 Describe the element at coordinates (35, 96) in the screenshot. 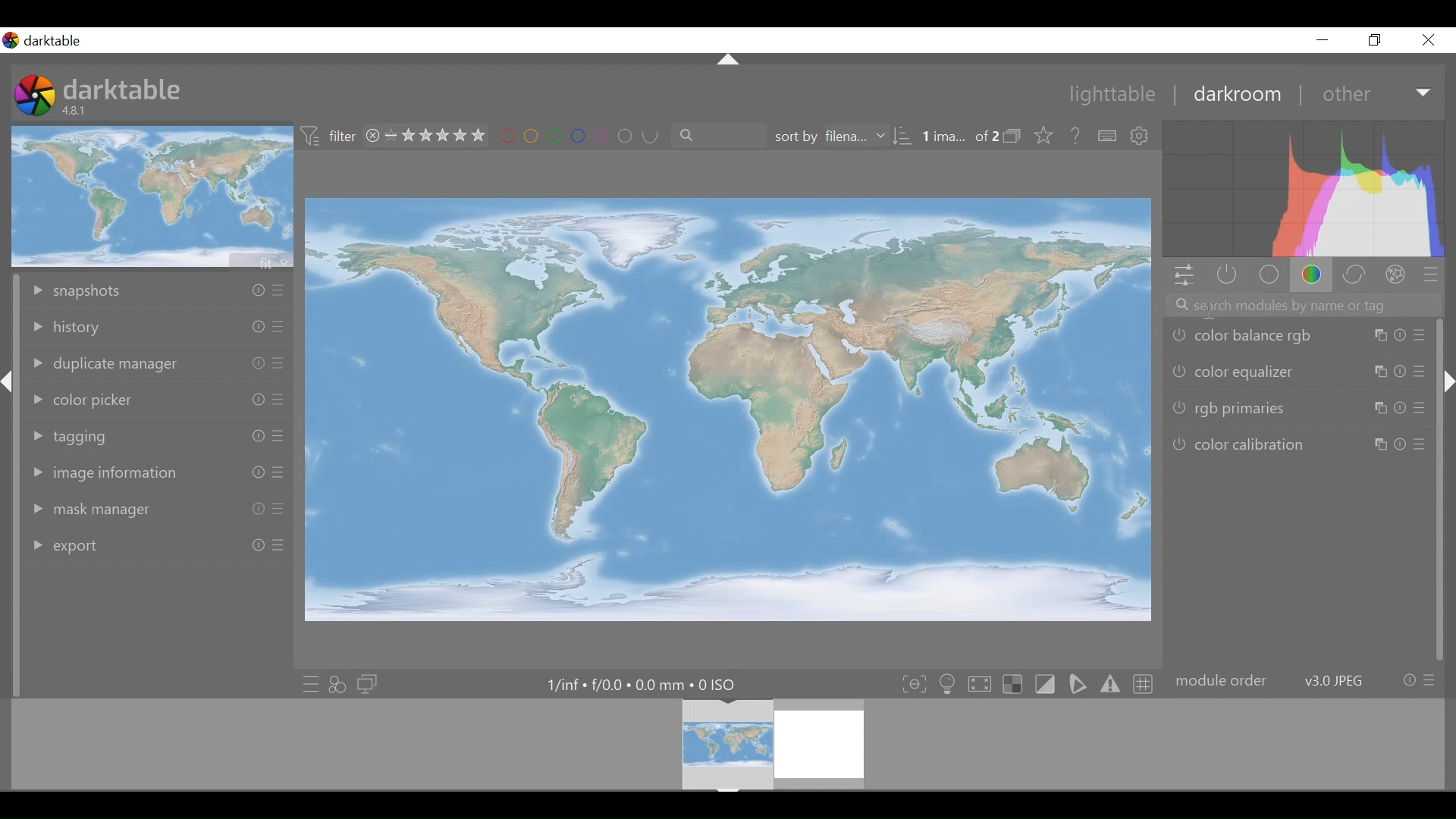

I see `darktable desktop icon` at that location.